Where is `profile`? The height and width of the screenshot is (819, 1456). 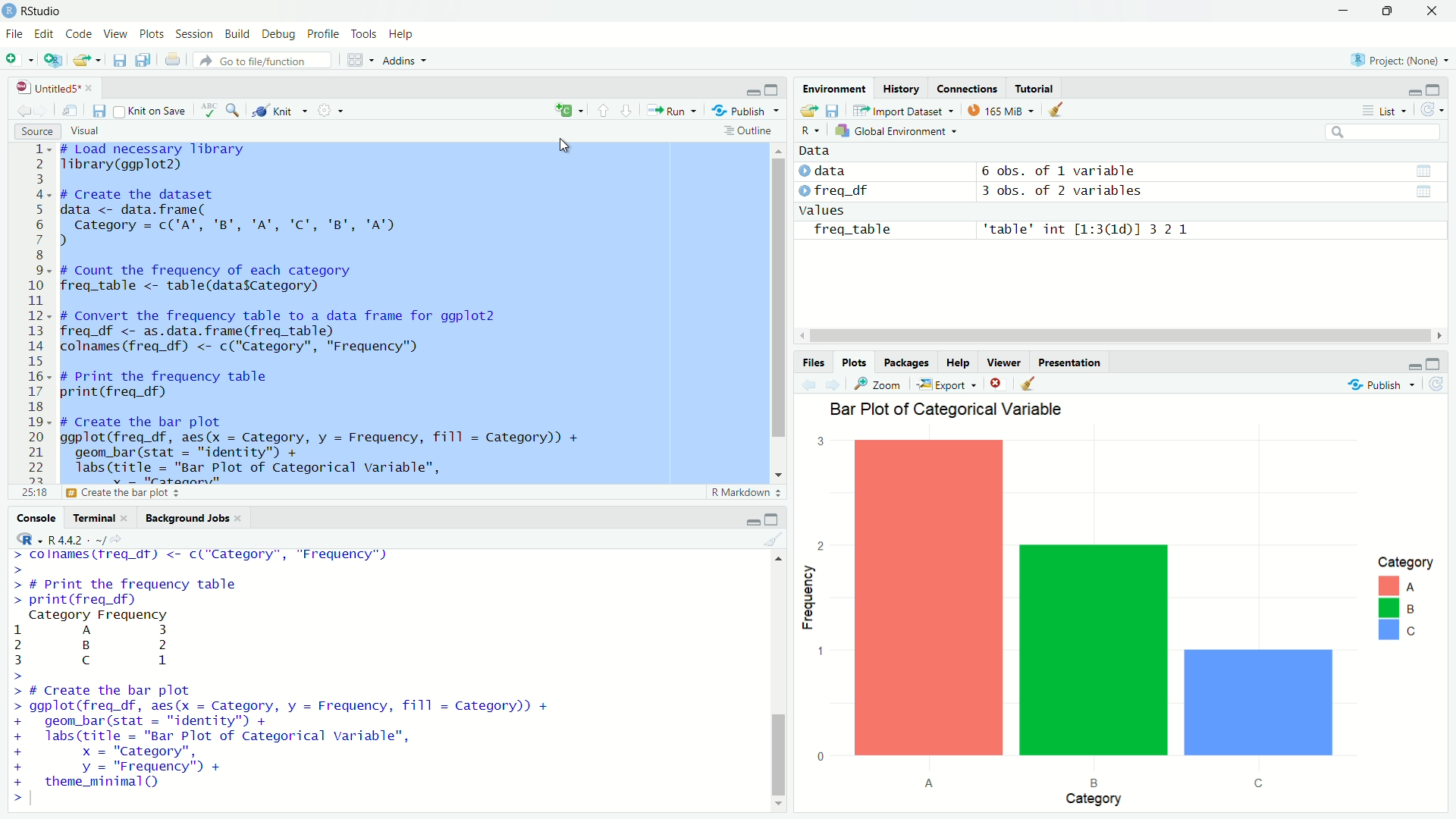 profile is located at coordinates (322, 34).